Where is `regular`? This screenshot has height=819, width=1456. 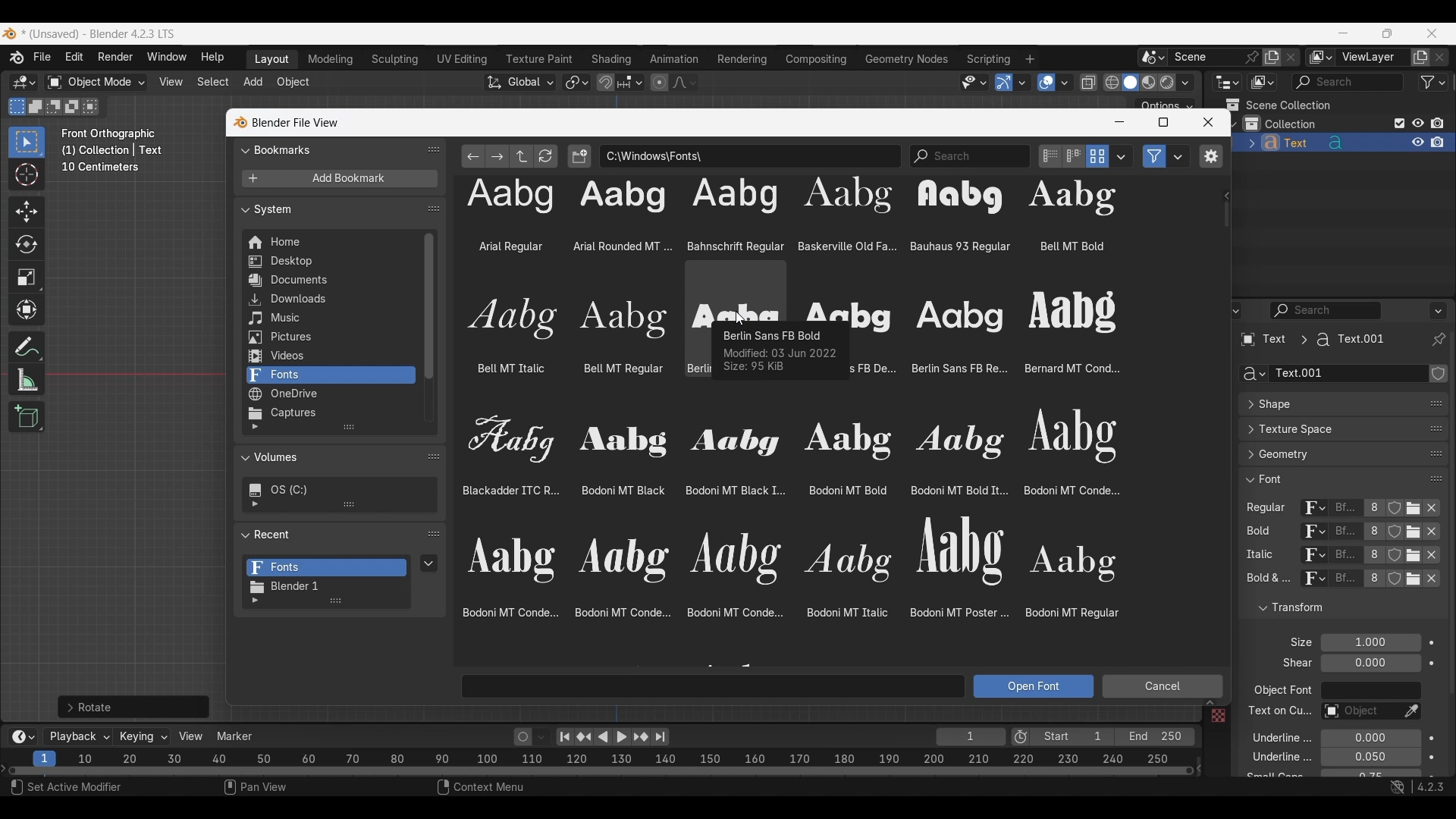 regular is located at coordinates (1269, 509).